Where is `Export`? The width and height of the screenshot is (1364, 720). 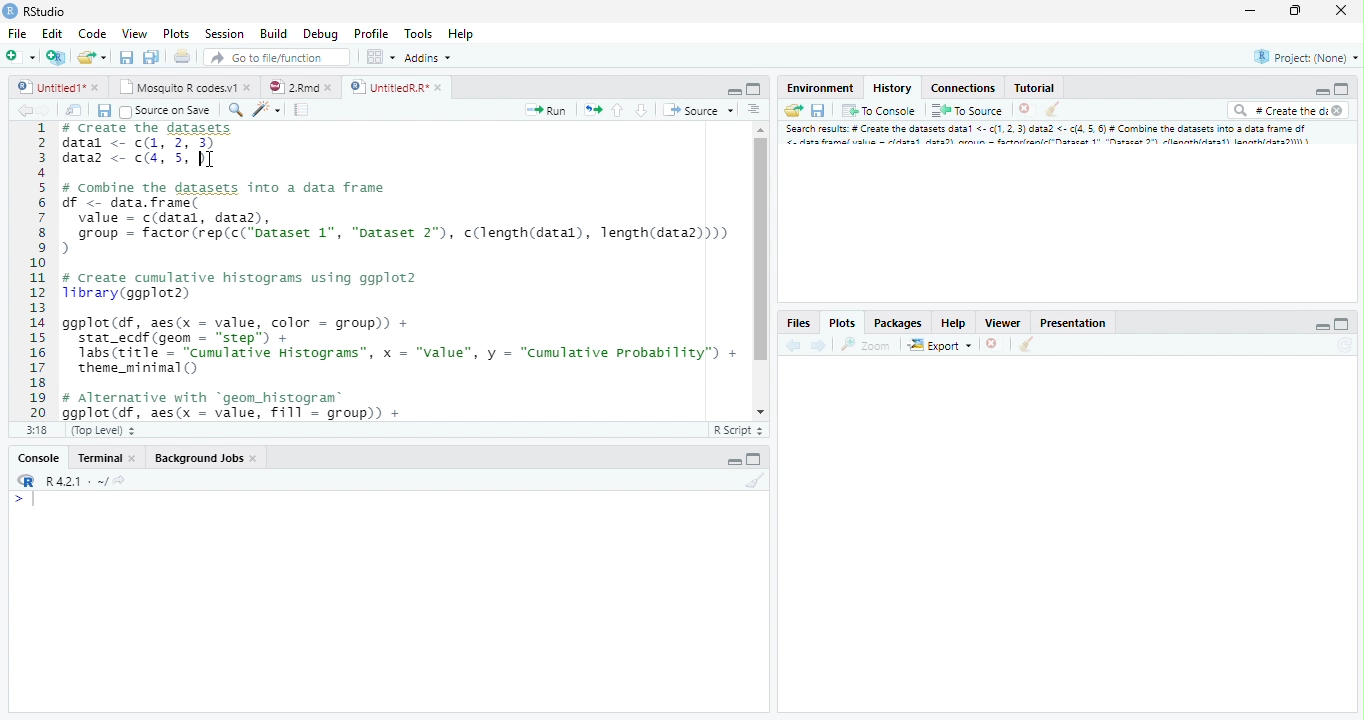
Export is located at coordinates (940, 345).